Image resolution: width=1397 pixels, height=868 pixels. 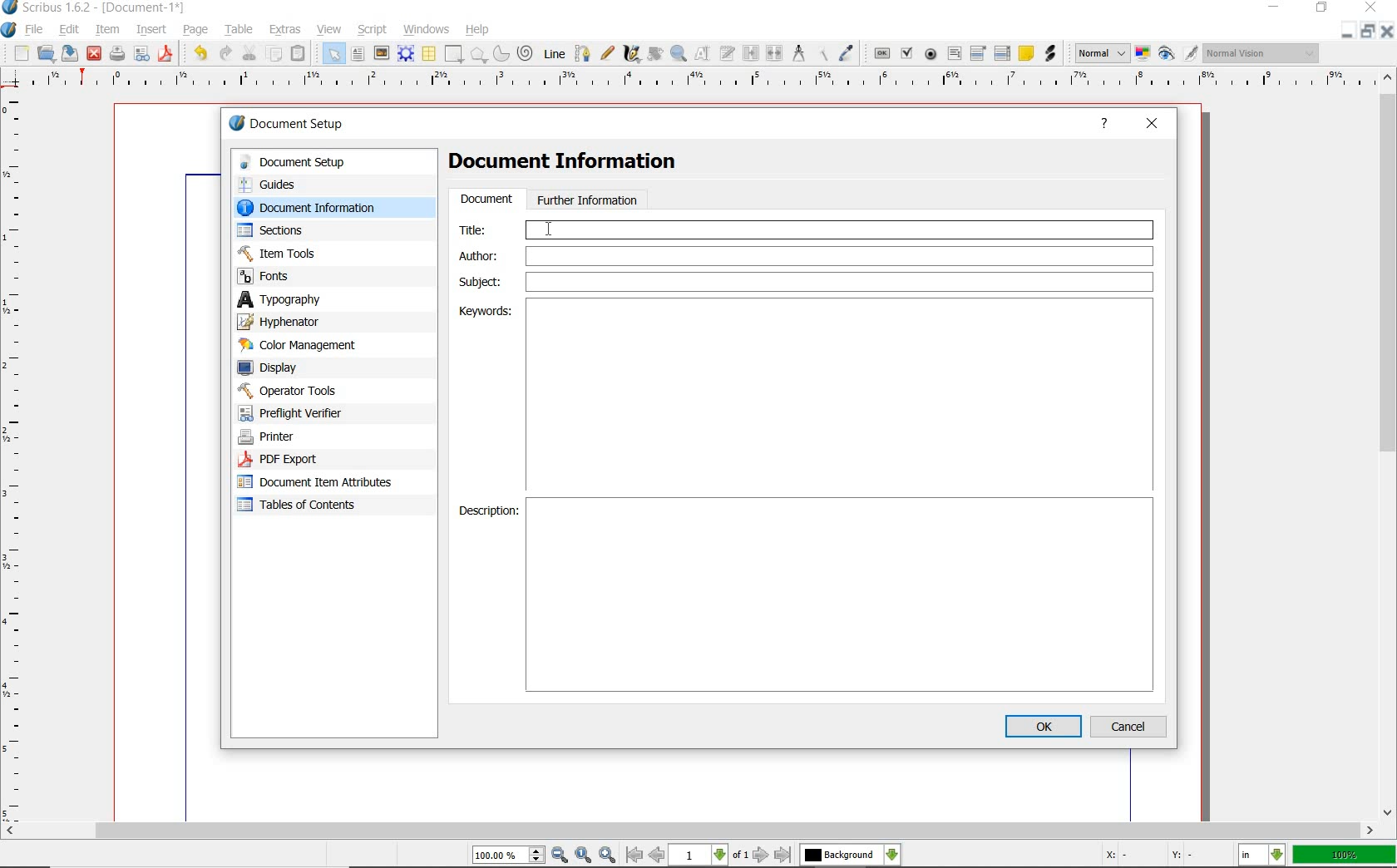 I want to click on print, so click(x=117, y=55).